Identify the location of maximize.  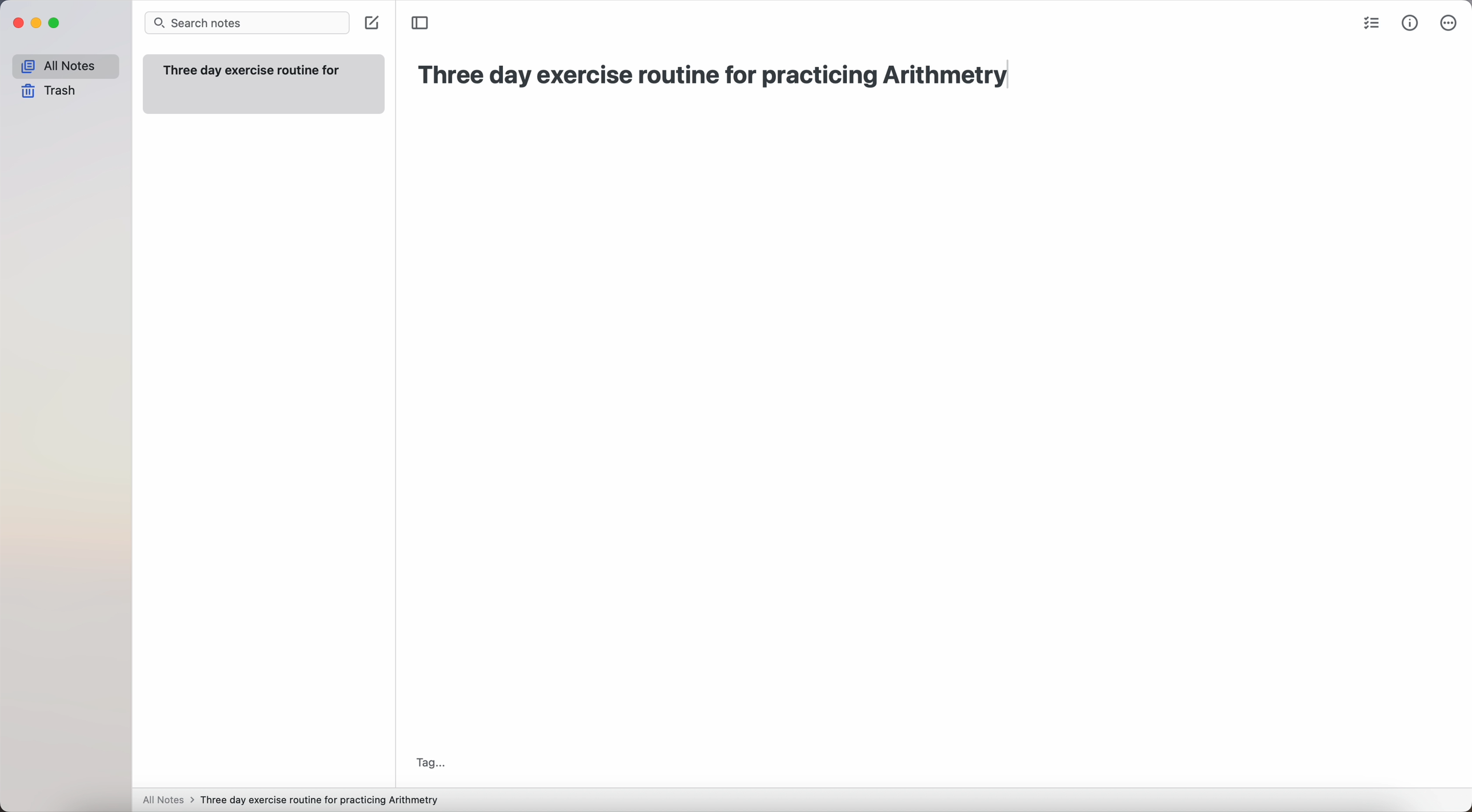
(54, 23).